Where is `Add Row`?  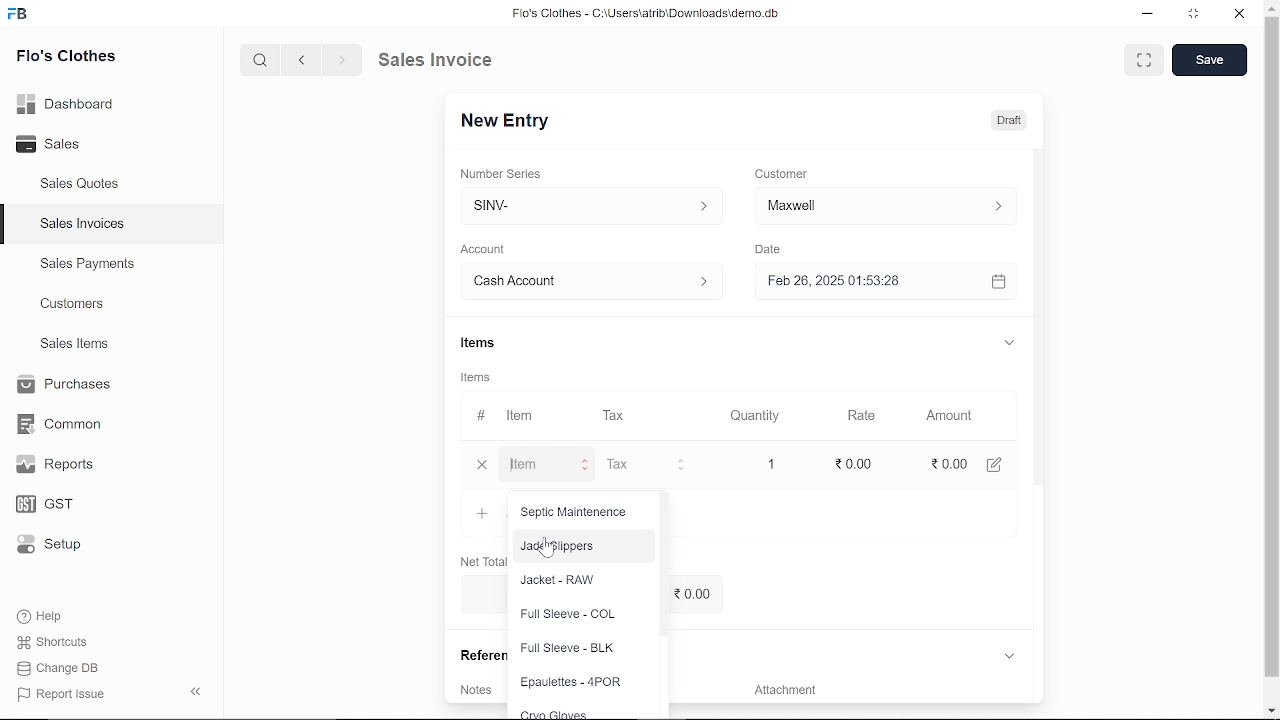 Add Row is located at coordinates (486, 514).